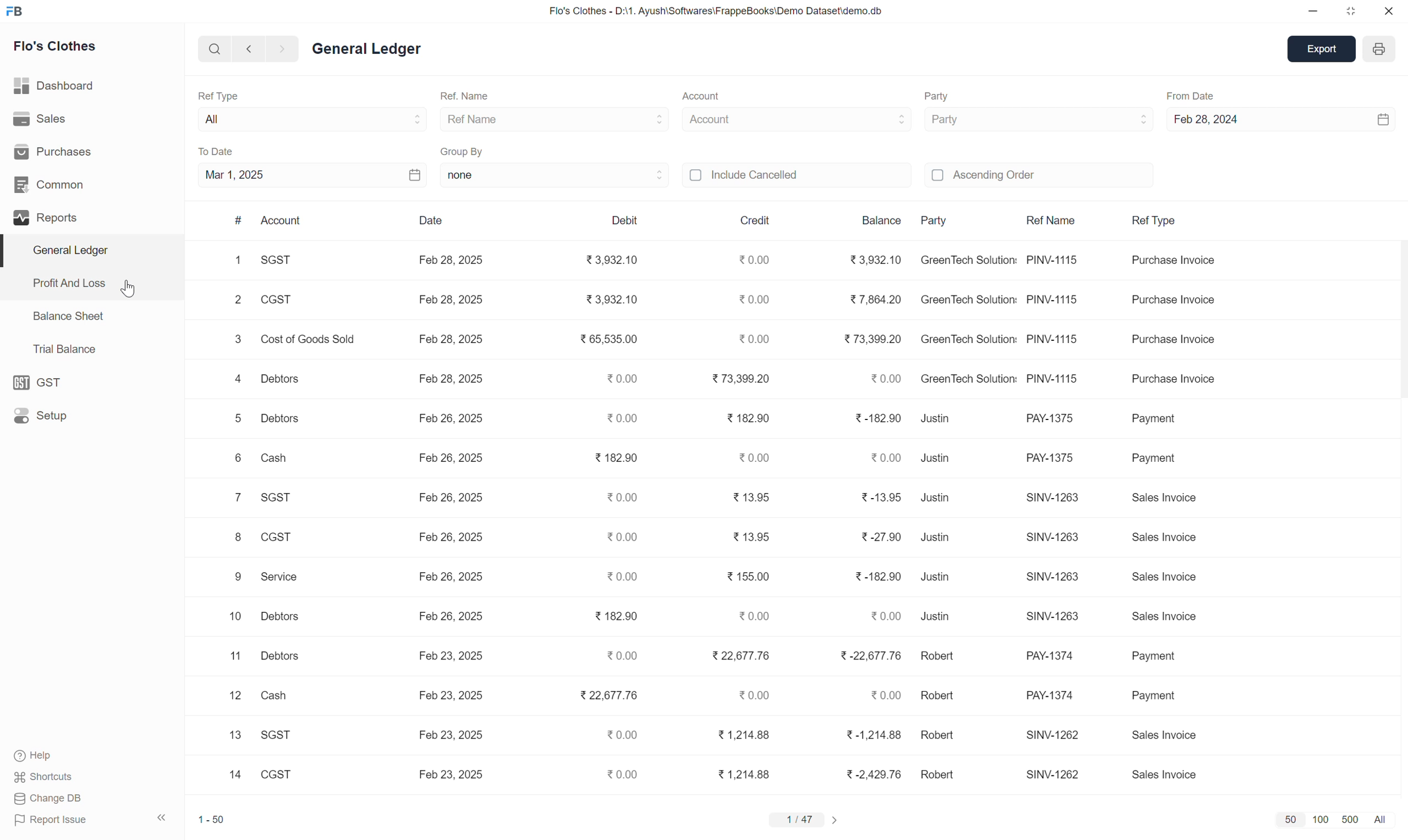 This screenshot has width=1408, height=840. Describe the element at coordinates (742, 734) in the screenshot. I see `₹1,214.88` at that location.